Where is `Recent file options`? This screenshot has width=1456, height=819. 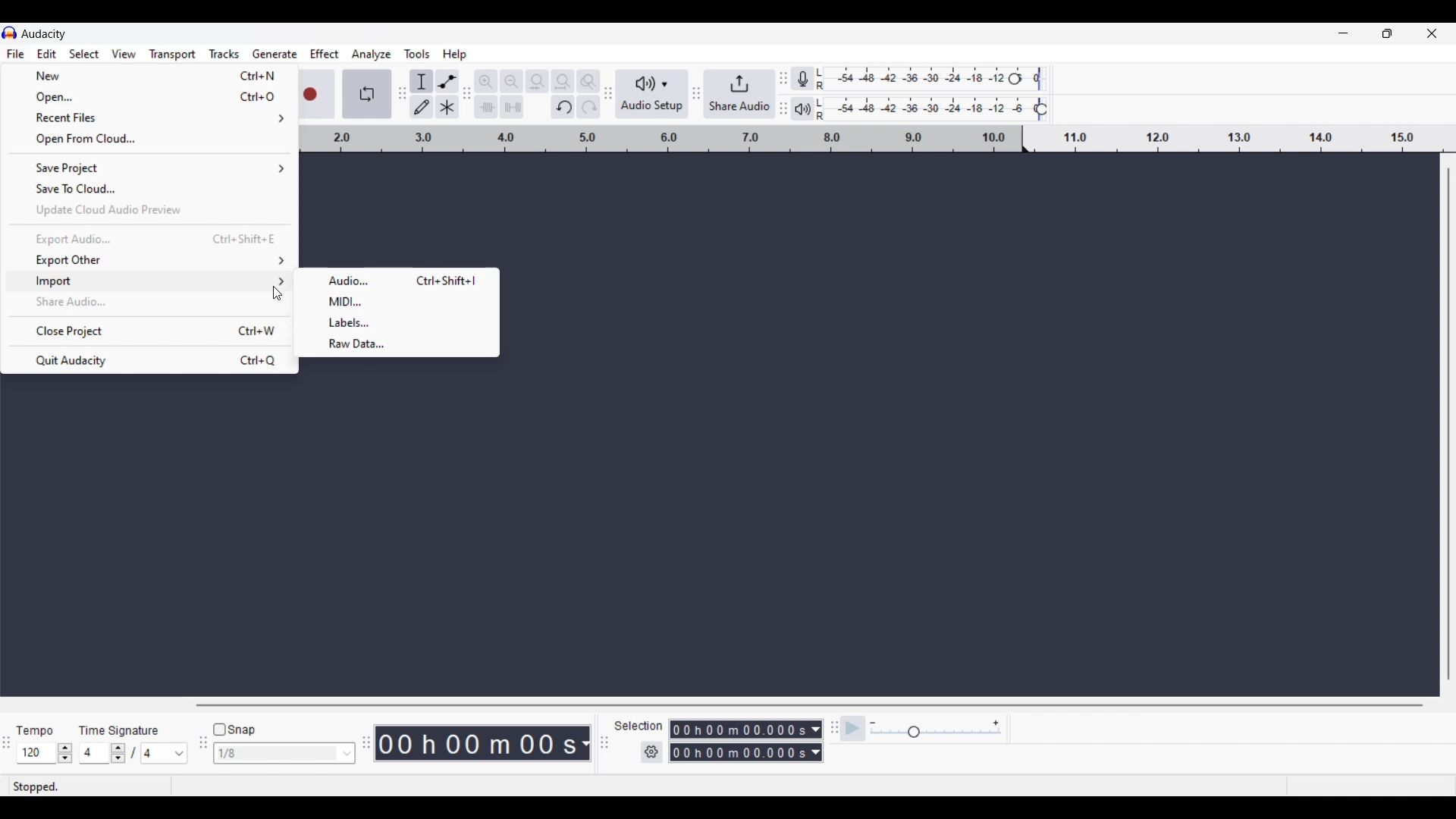 Recent file options is located at coordinates (150, 118).